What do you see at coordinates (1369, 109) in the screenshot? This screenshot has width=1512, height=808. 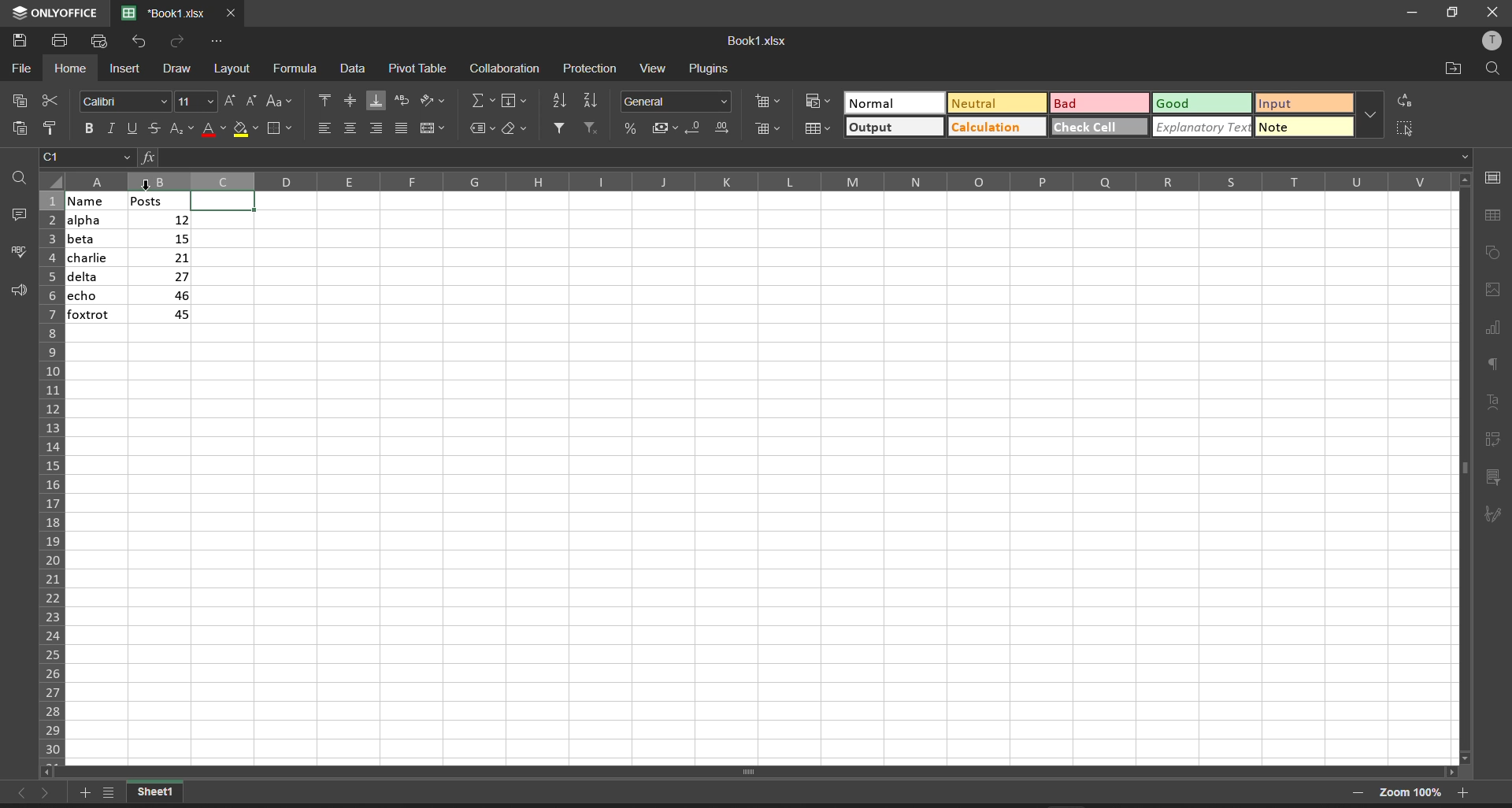 I see `additional quick setting` at bounding box center [1369, 109].